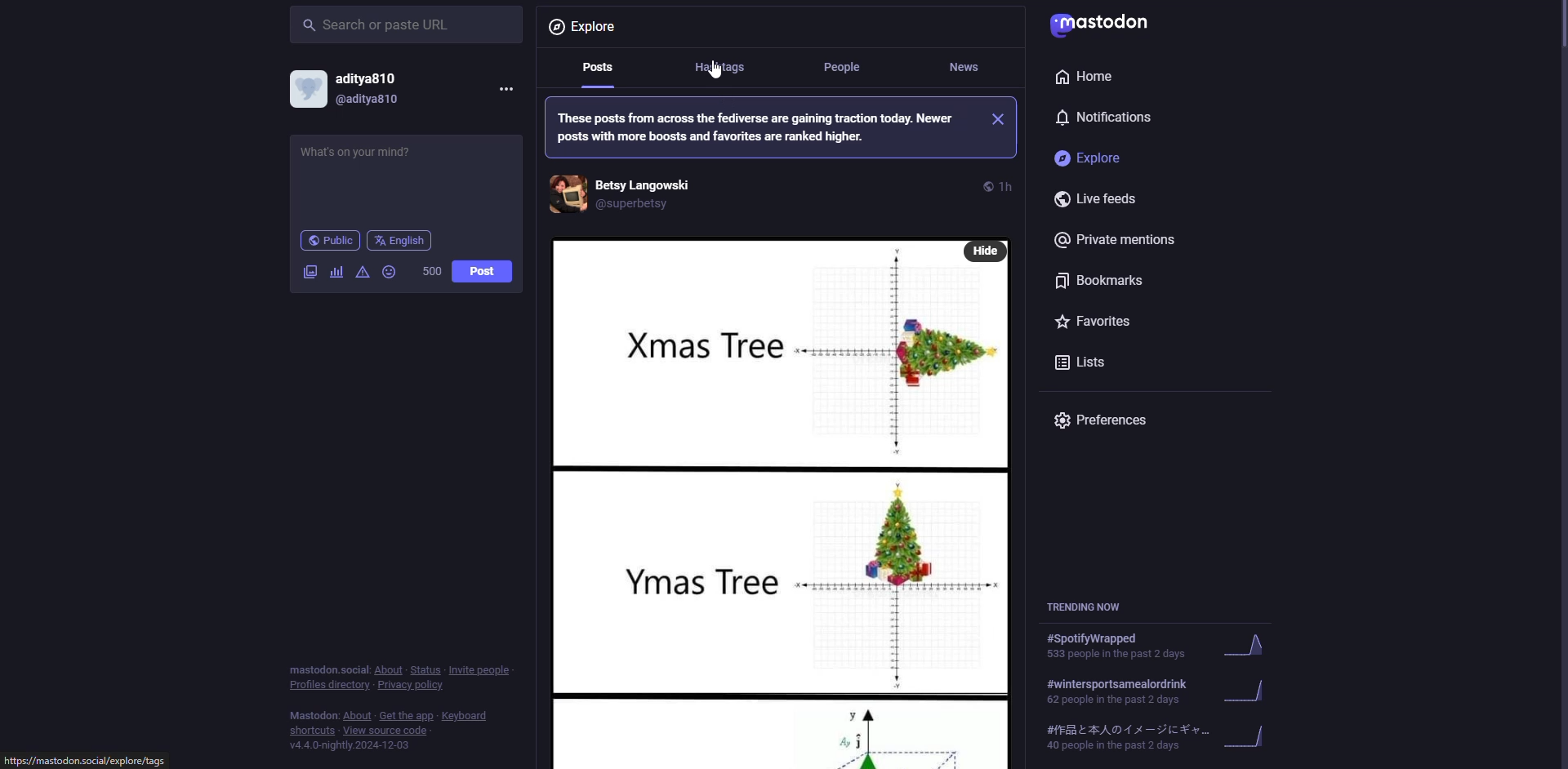 This screenshot has width=1568, height=769. I want to click on more, so click(506, 89).